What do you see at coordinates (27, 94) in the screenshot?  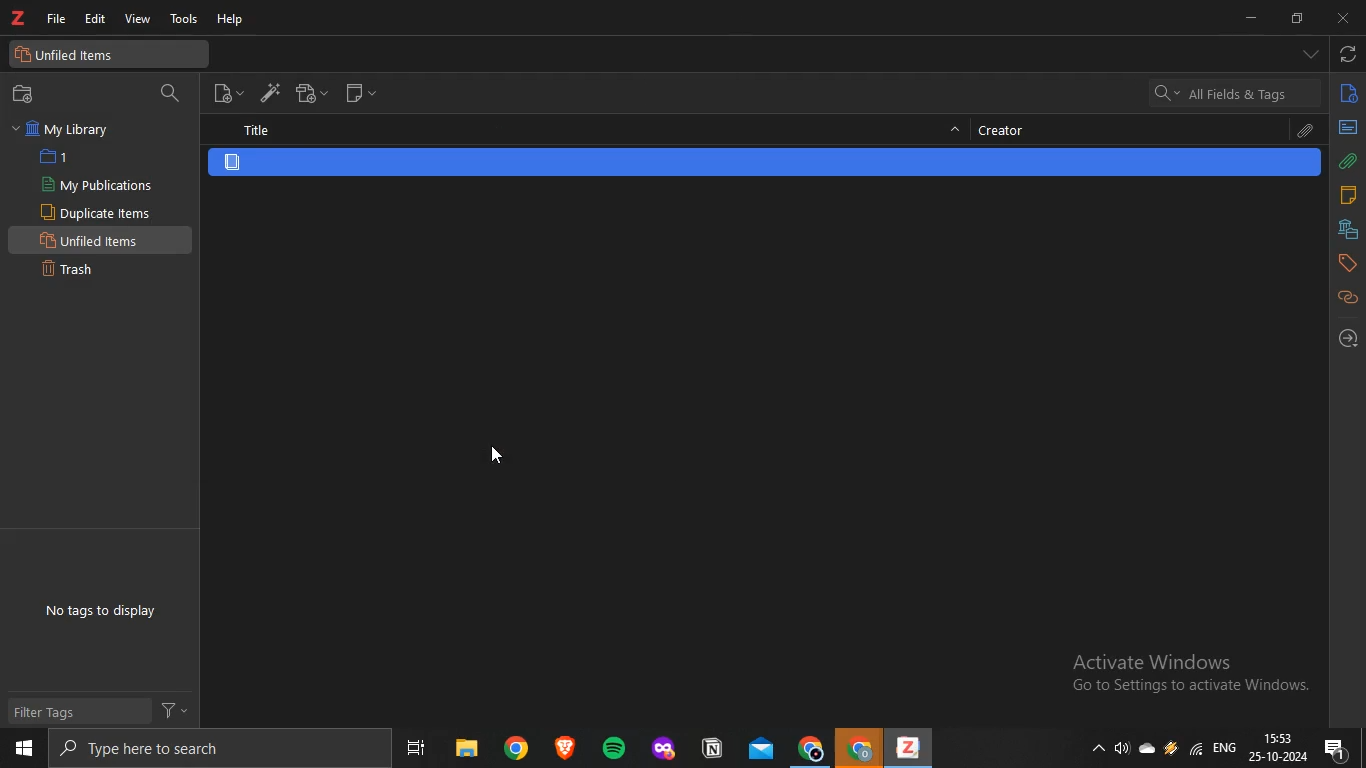 I see `new collection` at bounding box center [27, 94].